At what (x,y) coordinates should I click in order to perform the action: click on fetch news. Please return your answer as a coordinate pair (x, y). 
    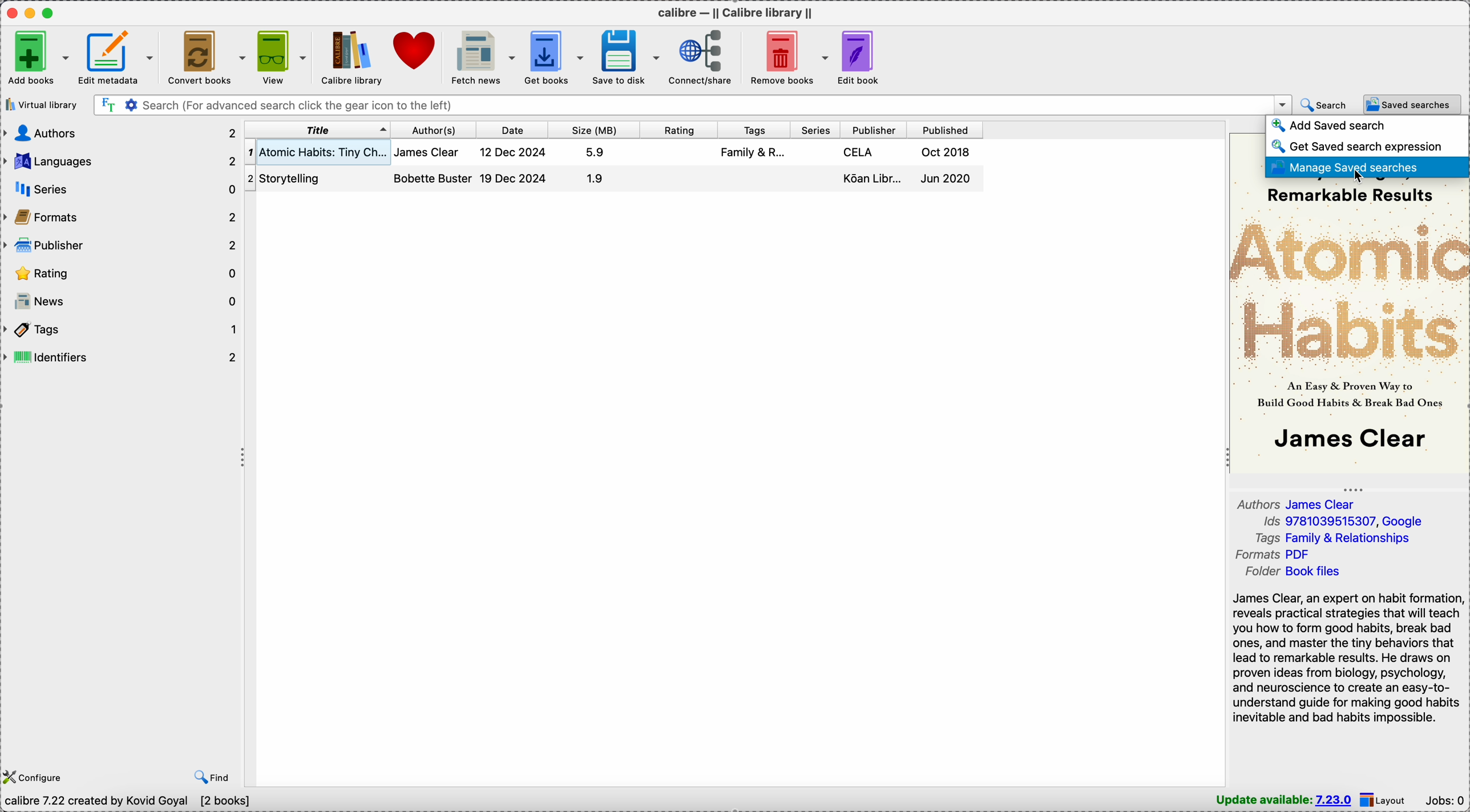
    Looking at the image, I should click on (479, 56).